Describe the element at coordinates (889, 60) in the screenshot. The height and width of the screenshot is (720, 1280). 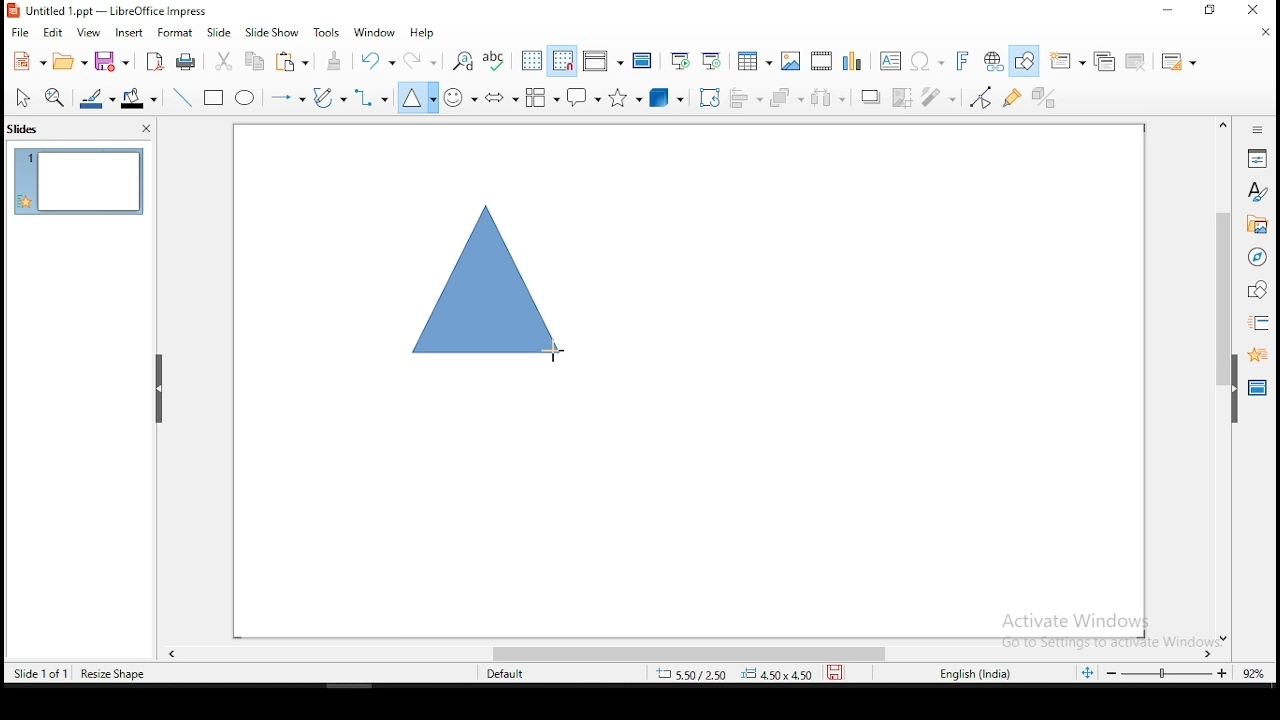
I see `text box` at that location.